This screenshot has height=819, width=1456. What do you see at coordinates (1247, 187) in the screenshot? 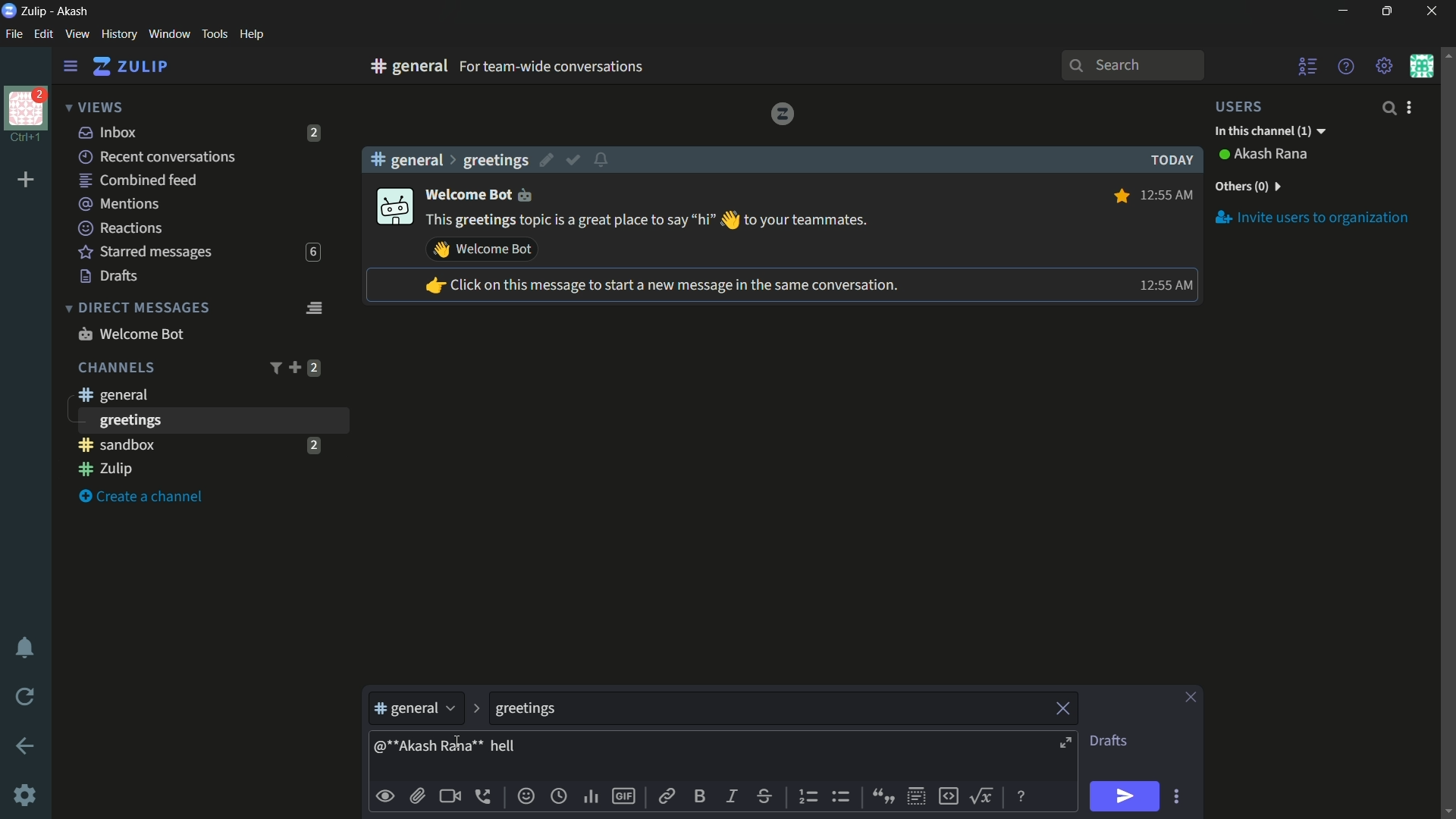
I see `others (0)` at bounding box center [1247, 187].